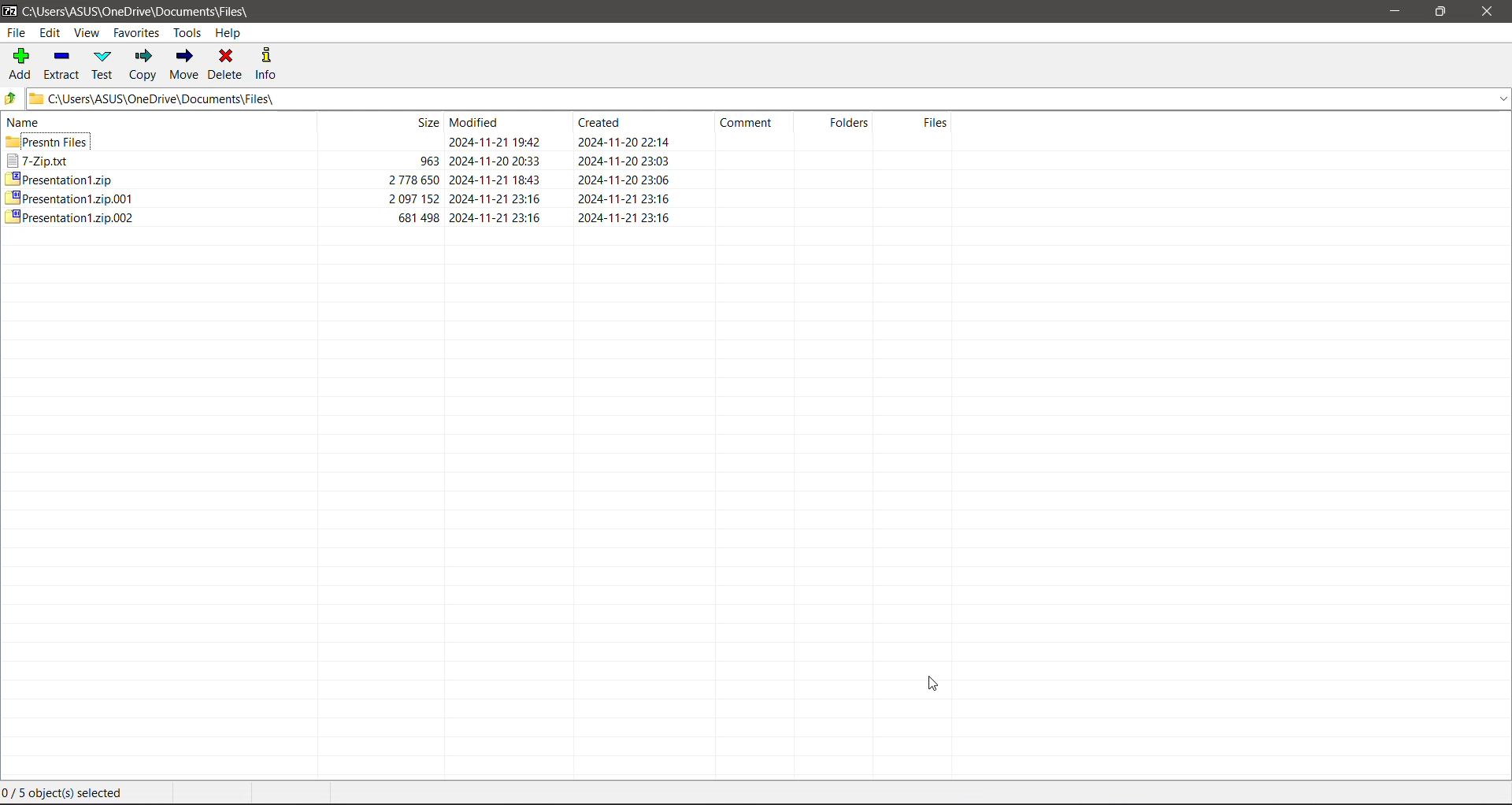 The image size is (1512, 805). What do you see at coordinates (52, 142) in the screenshot?
I see `presntn files` at bounding box center [52, 142].